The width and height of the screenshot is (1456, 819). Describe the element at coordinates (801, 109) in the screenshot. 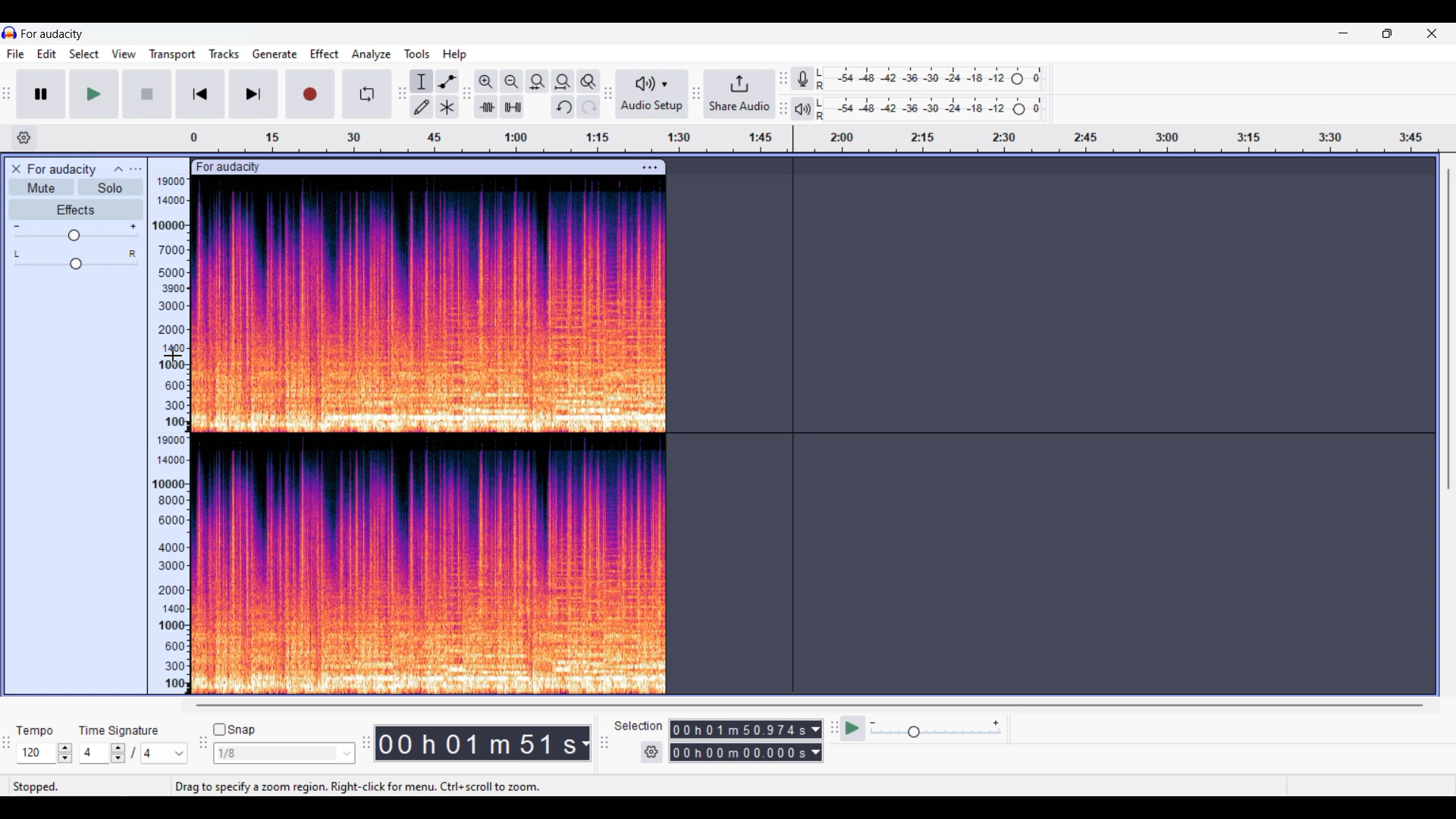

I see `Playback meter` at that location.